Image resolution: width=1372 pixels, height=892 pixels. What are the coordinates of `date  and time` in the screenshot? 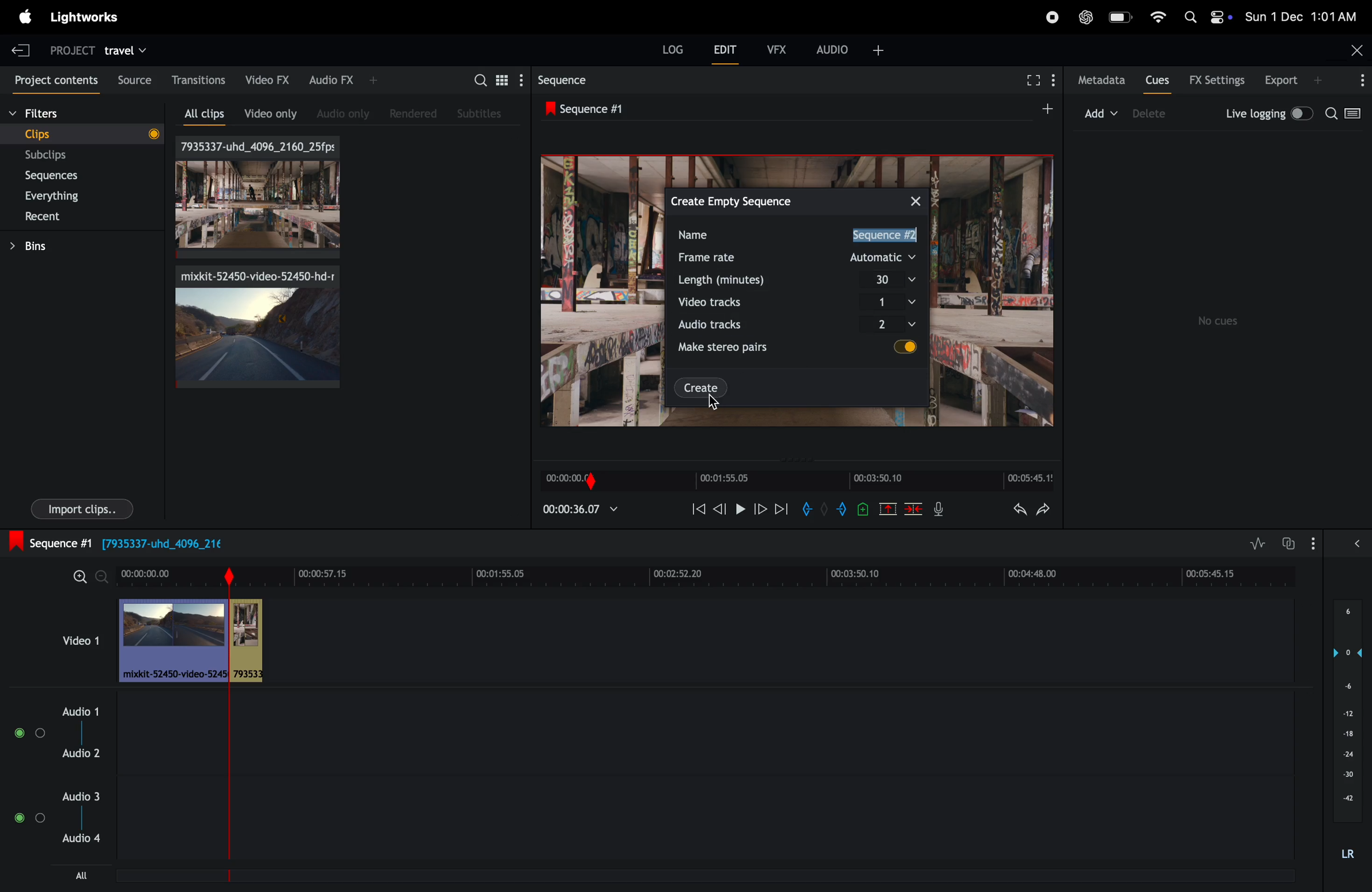 It's located at (1301, 14).